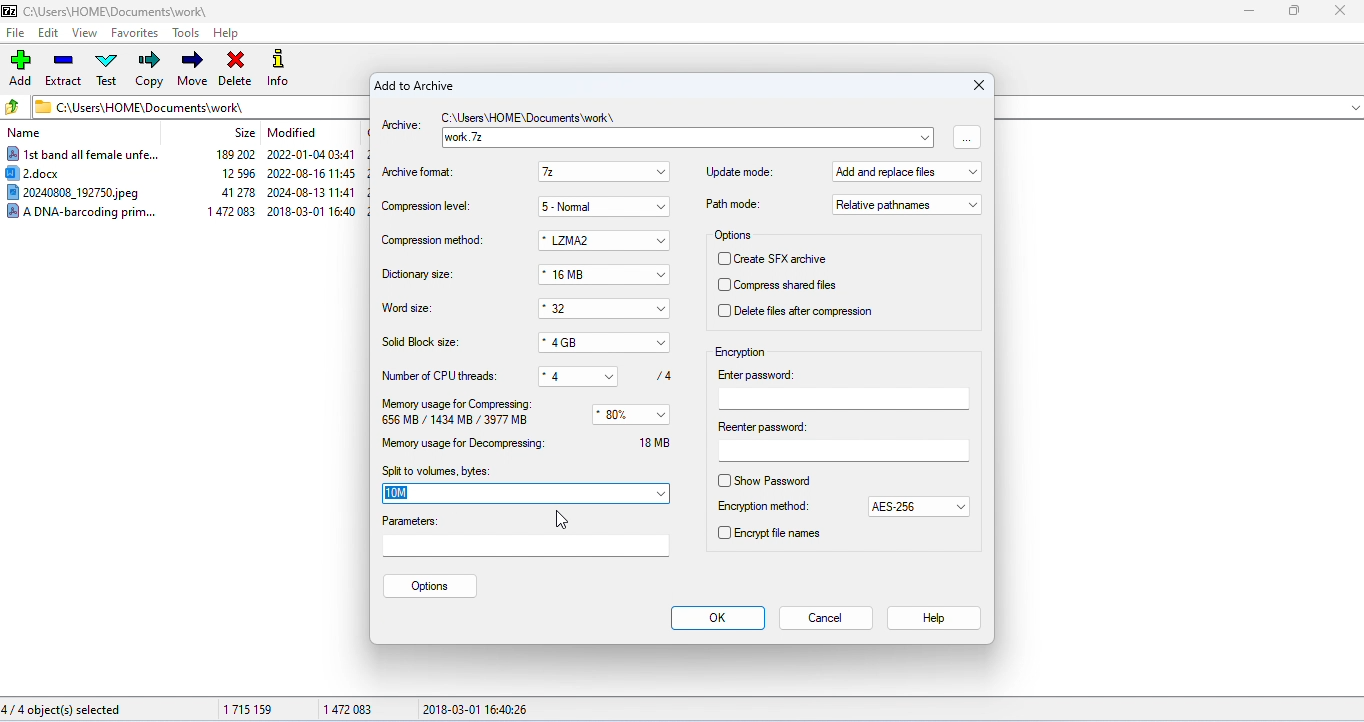 This screenshot has height=722, width=1364. What do you see at coordinates (591, 172) in the screenshot?
I see `7z` at bounding box center [591, 172].